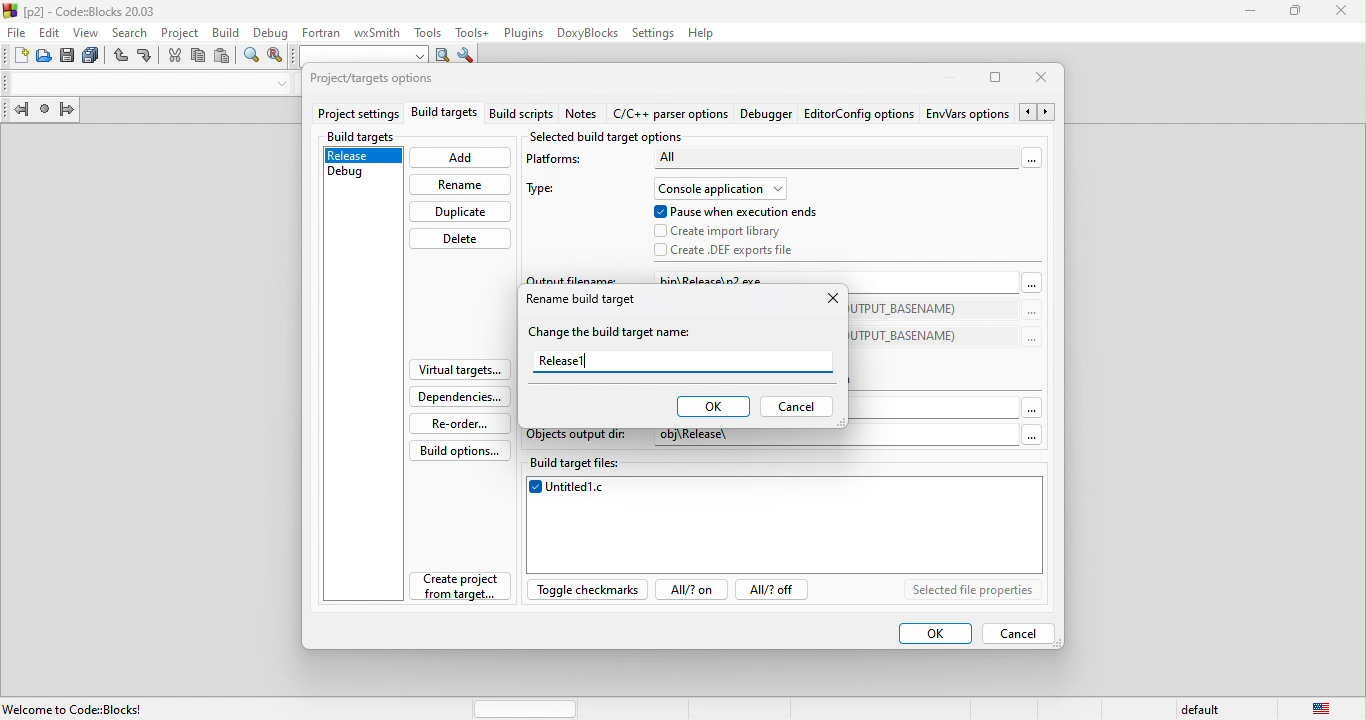 Image resolution: width=1366 pixels, height=720 pixels. I want to click on selected build target option, so click(612, 138).